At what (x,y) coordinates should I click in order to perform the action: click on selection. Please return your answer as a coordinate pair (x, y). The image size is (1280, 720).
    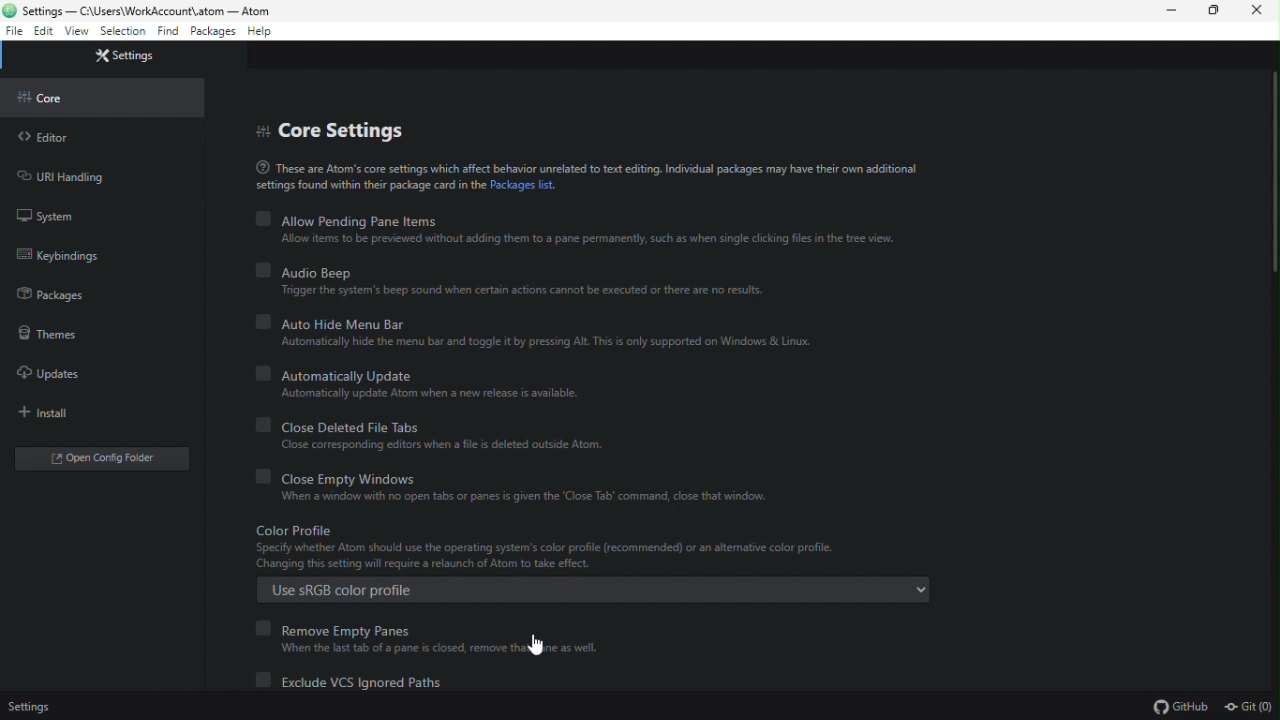
    Looking at the image, I should click on (123, 33).